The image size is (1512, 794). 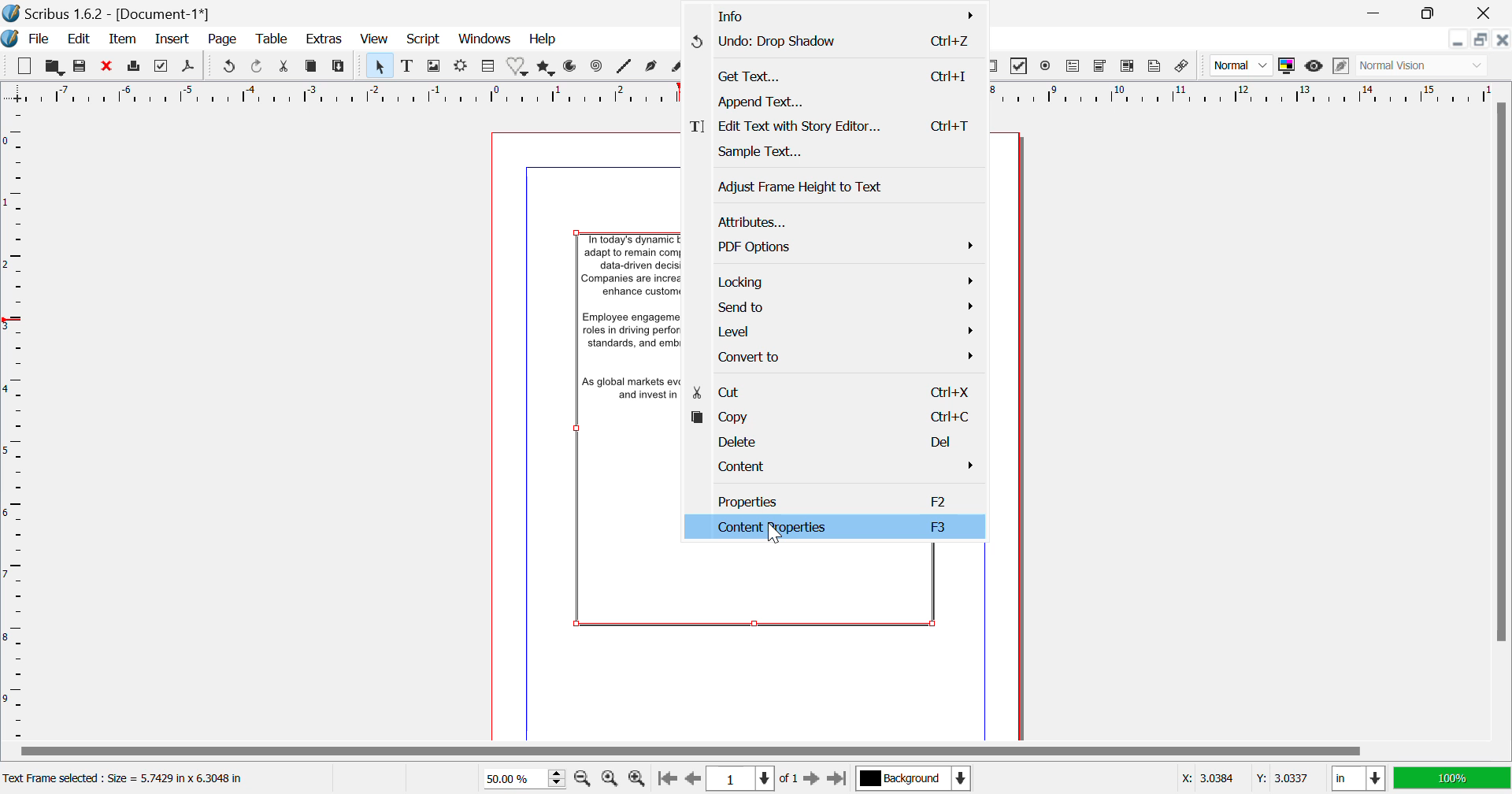 I want to click on Minimize, so click(x=1431, y=13).